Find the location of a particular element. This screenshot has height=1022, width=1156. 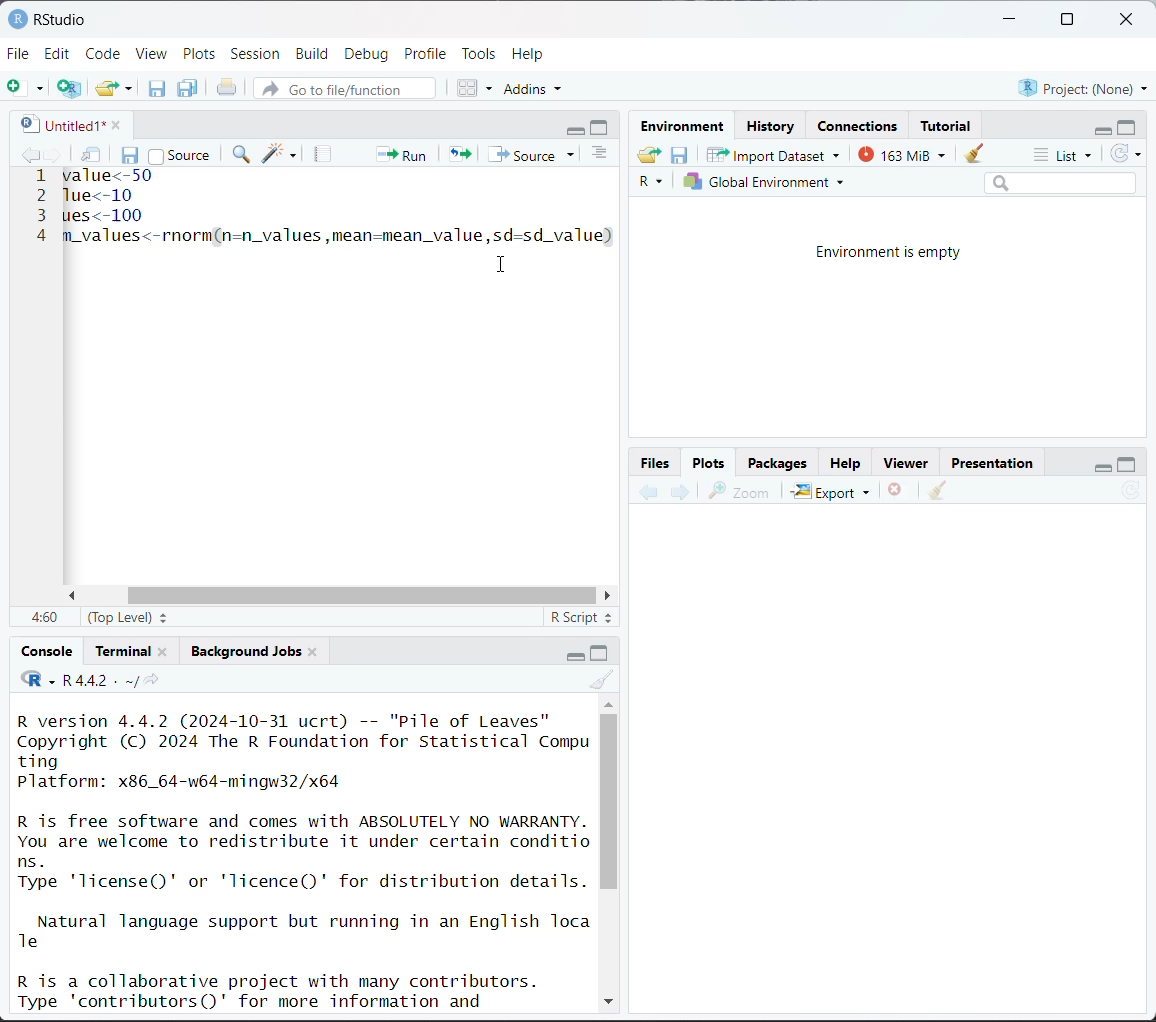

minimize is located at coordinates (1099, 464).